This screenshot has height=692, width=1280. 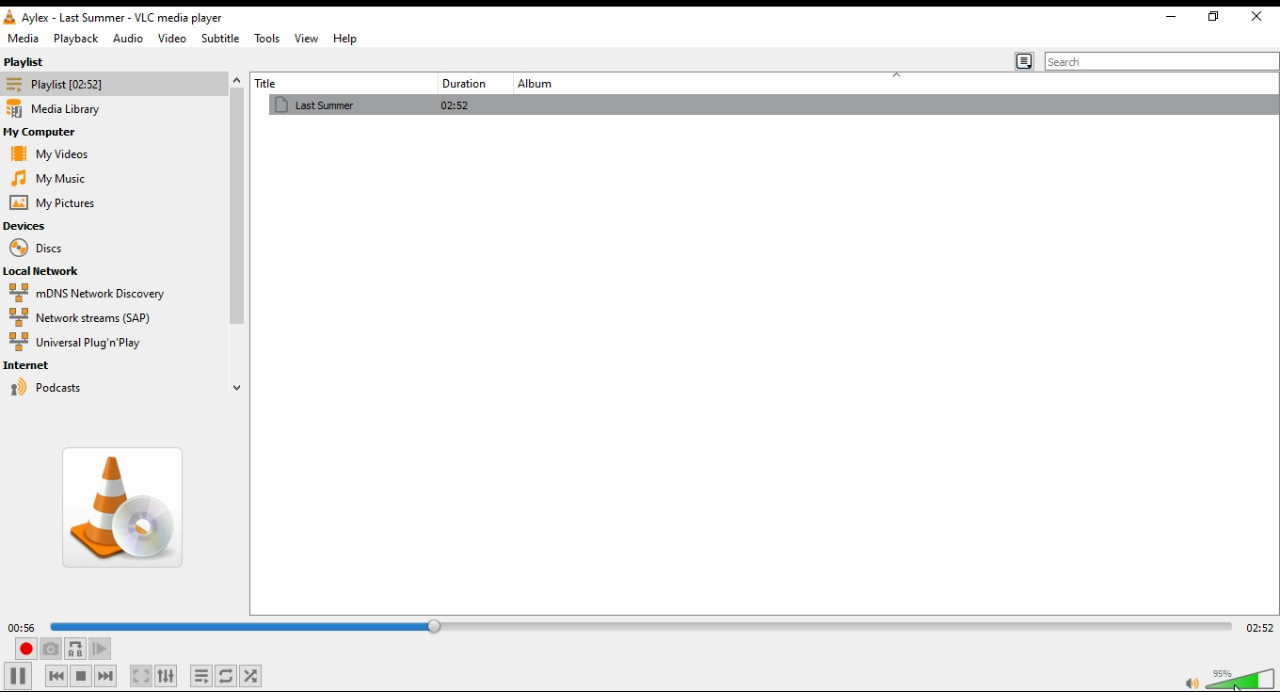 I want to click on record, so click(x=24, y=649).